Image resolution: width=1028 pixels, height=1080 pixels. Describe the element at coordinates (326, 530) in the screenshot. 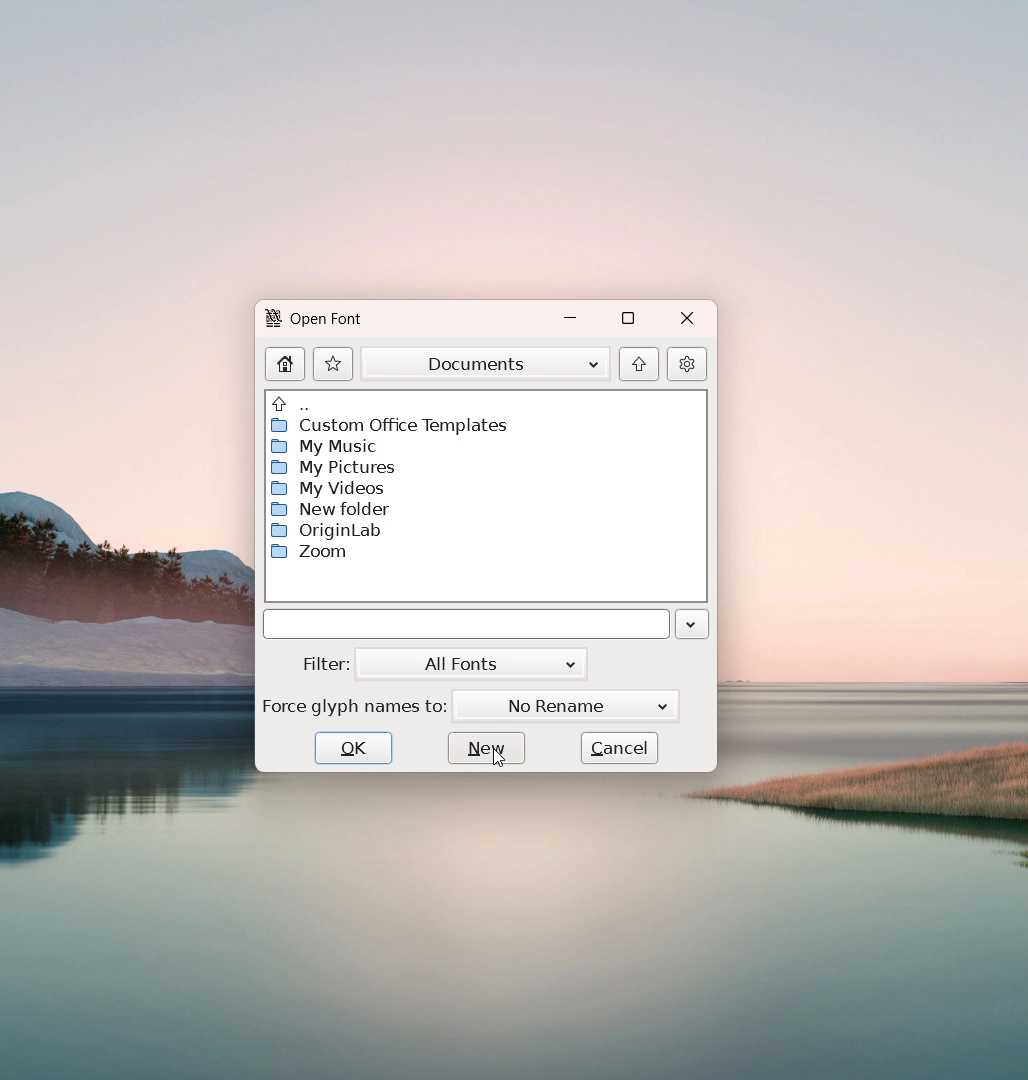

I see `Origin Lab` at that location.